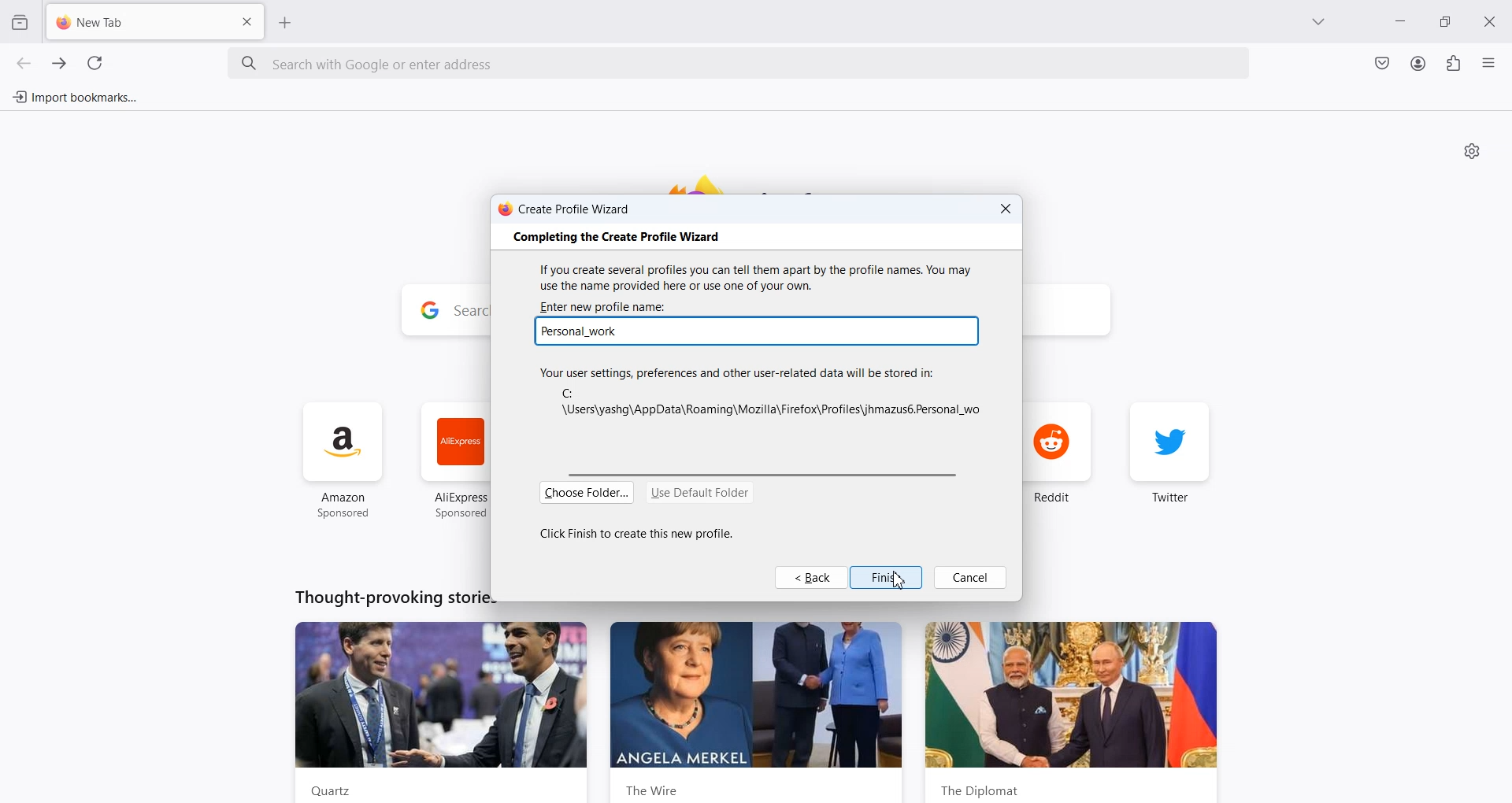 This screenshot has width=1512, height=803. I want to click on Typing Window: personal work typed, so click(759, 330).